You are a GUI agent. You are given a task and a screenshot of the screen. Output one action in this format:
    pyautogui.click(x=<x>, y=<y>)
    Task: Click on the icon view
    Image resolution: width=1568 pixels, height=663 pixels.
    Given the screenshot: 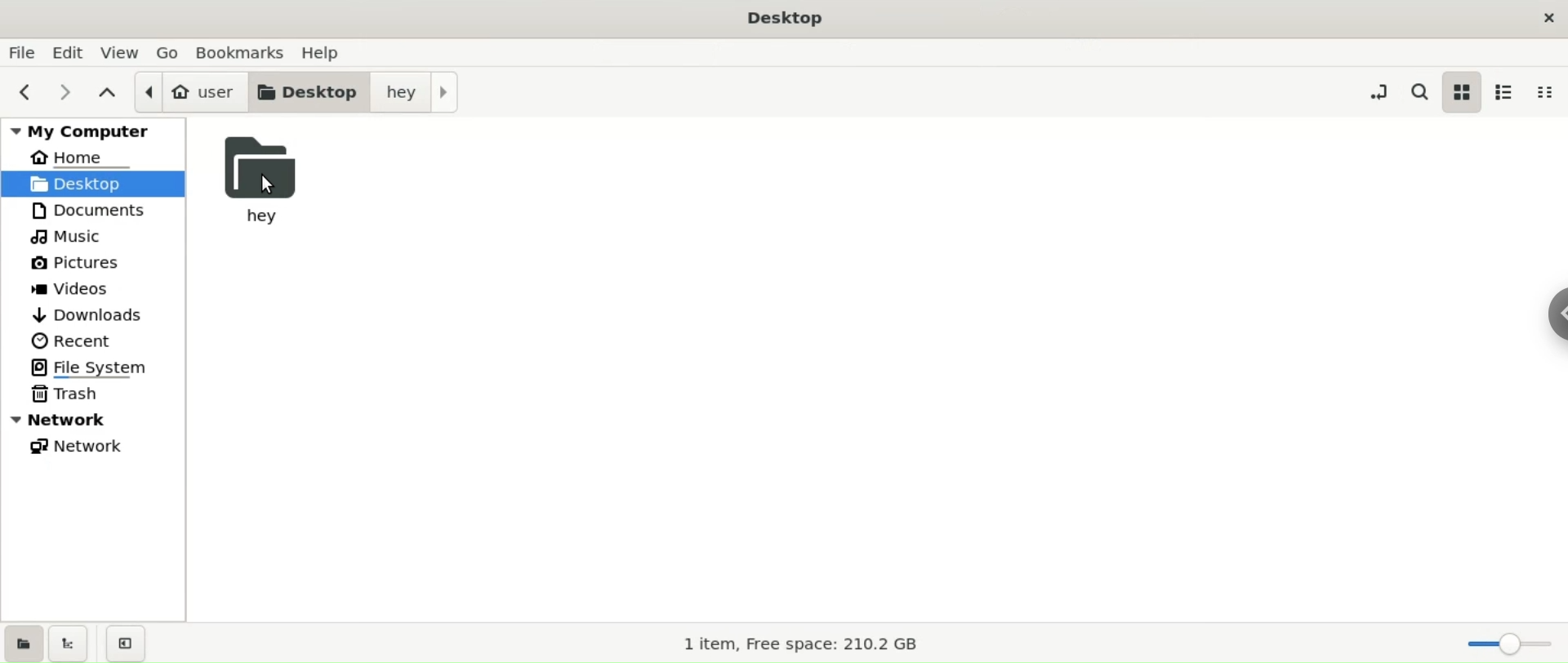 What is the action you would take?
    pyautogui.click(x=1463, y=93)
    